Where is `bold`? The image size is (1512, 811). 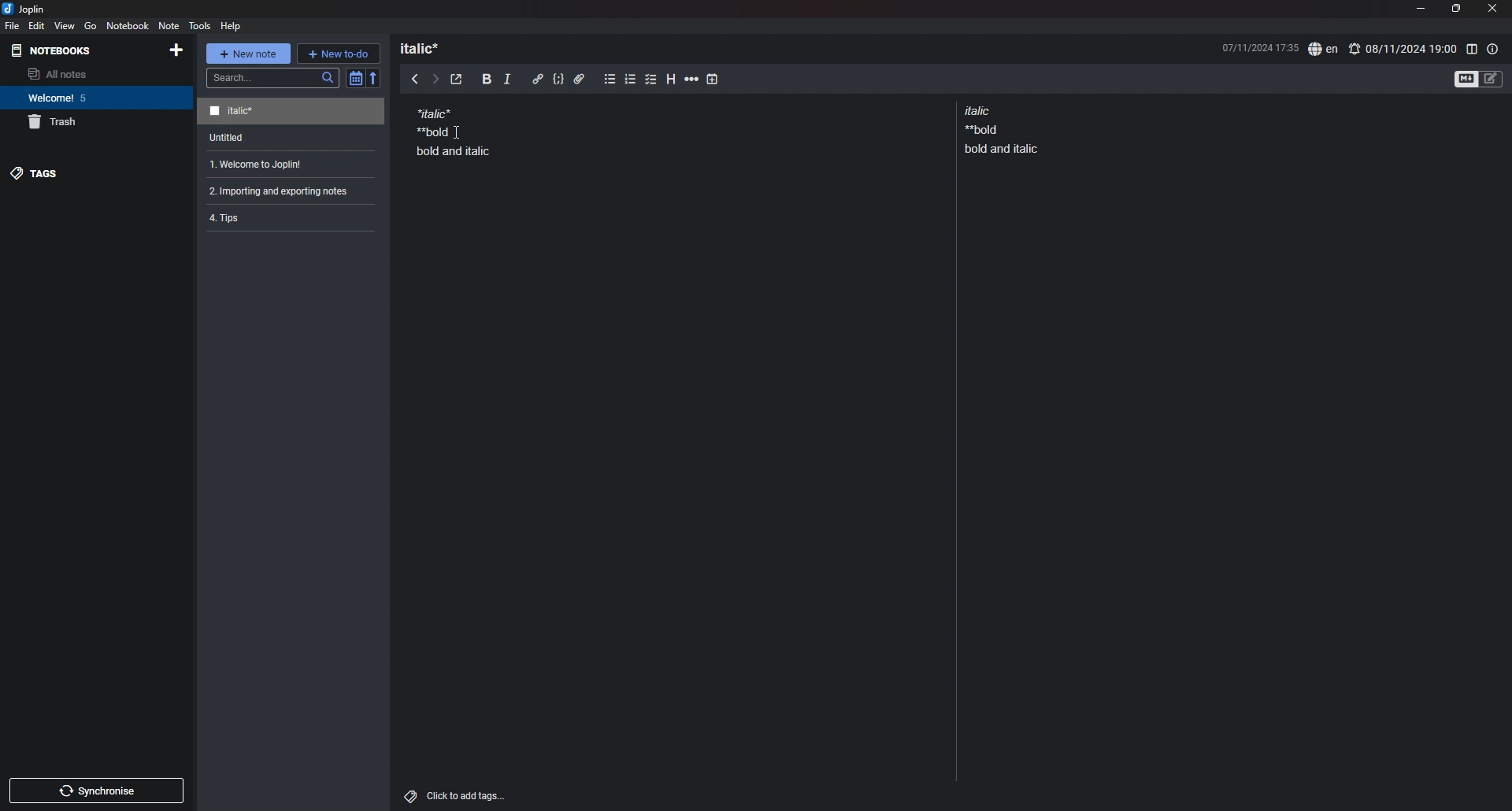 bold is located at coordinates (487, 80).